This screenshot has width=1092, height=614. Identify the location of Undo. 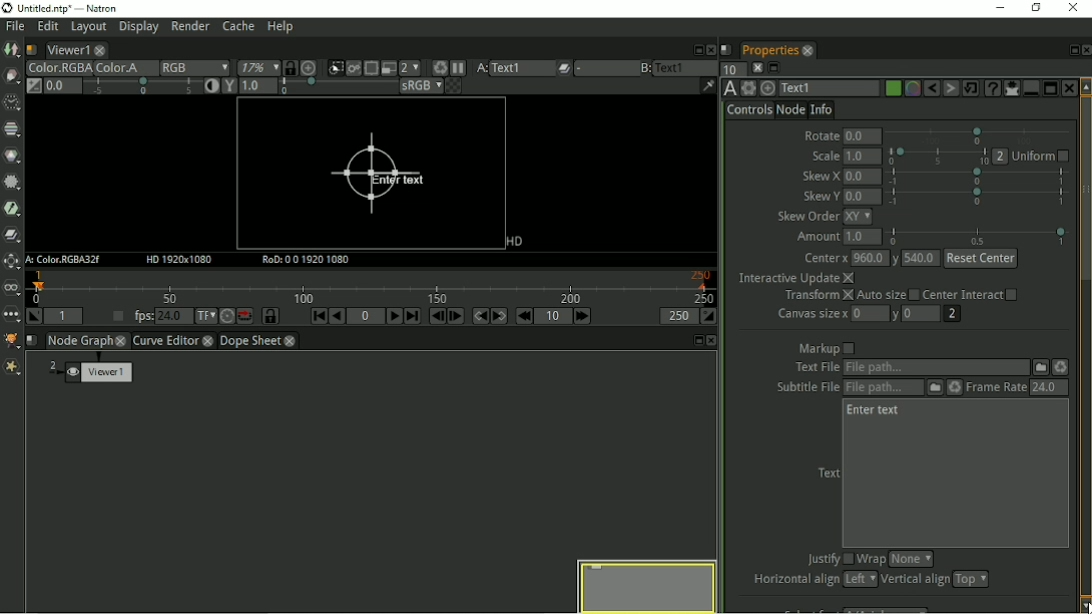
(932, 87).